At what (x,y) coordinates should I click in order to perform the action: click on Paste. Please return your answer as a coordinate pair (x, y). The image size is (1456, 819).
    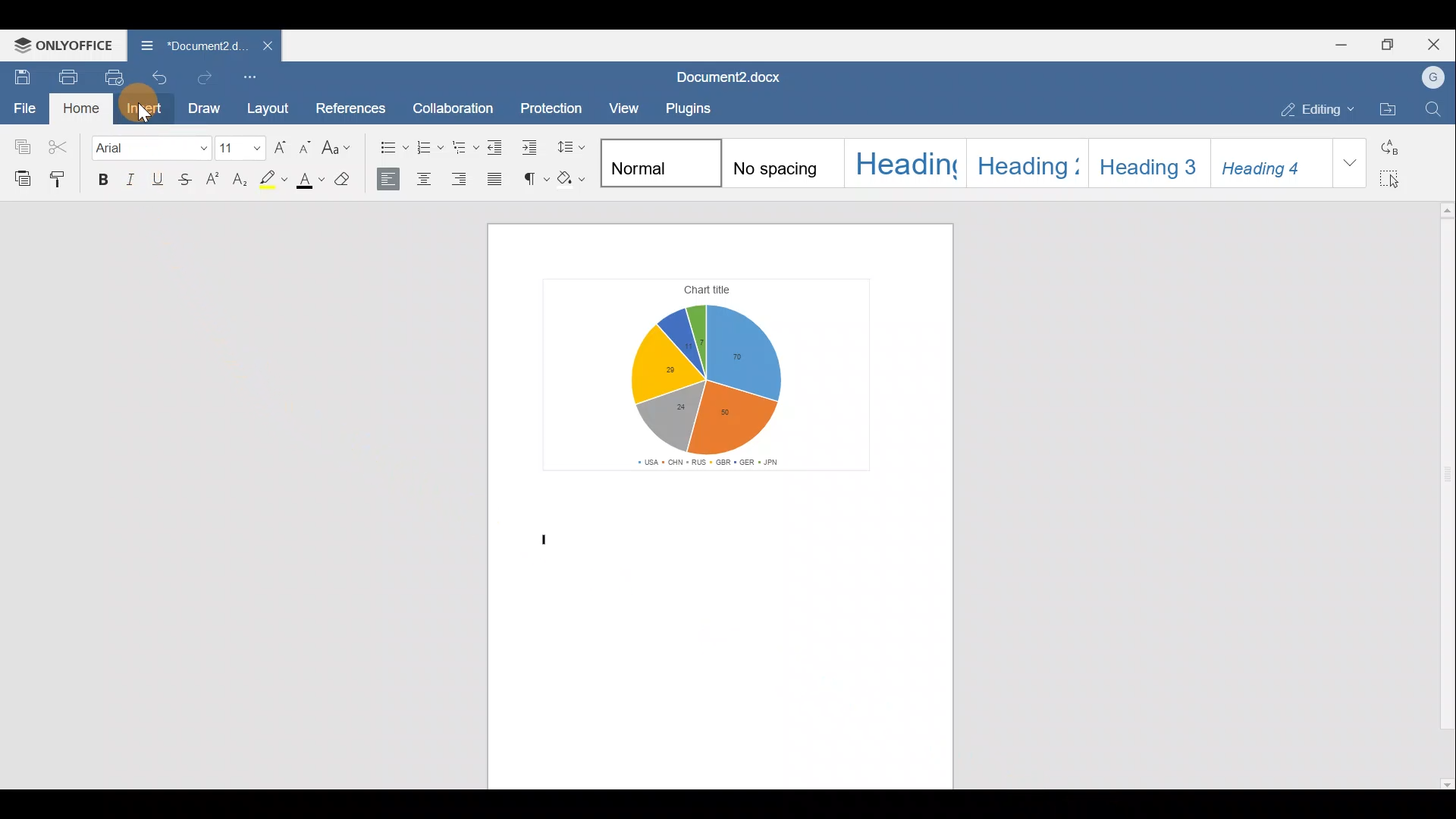
    Looking at the image, I should click on (19, 178).